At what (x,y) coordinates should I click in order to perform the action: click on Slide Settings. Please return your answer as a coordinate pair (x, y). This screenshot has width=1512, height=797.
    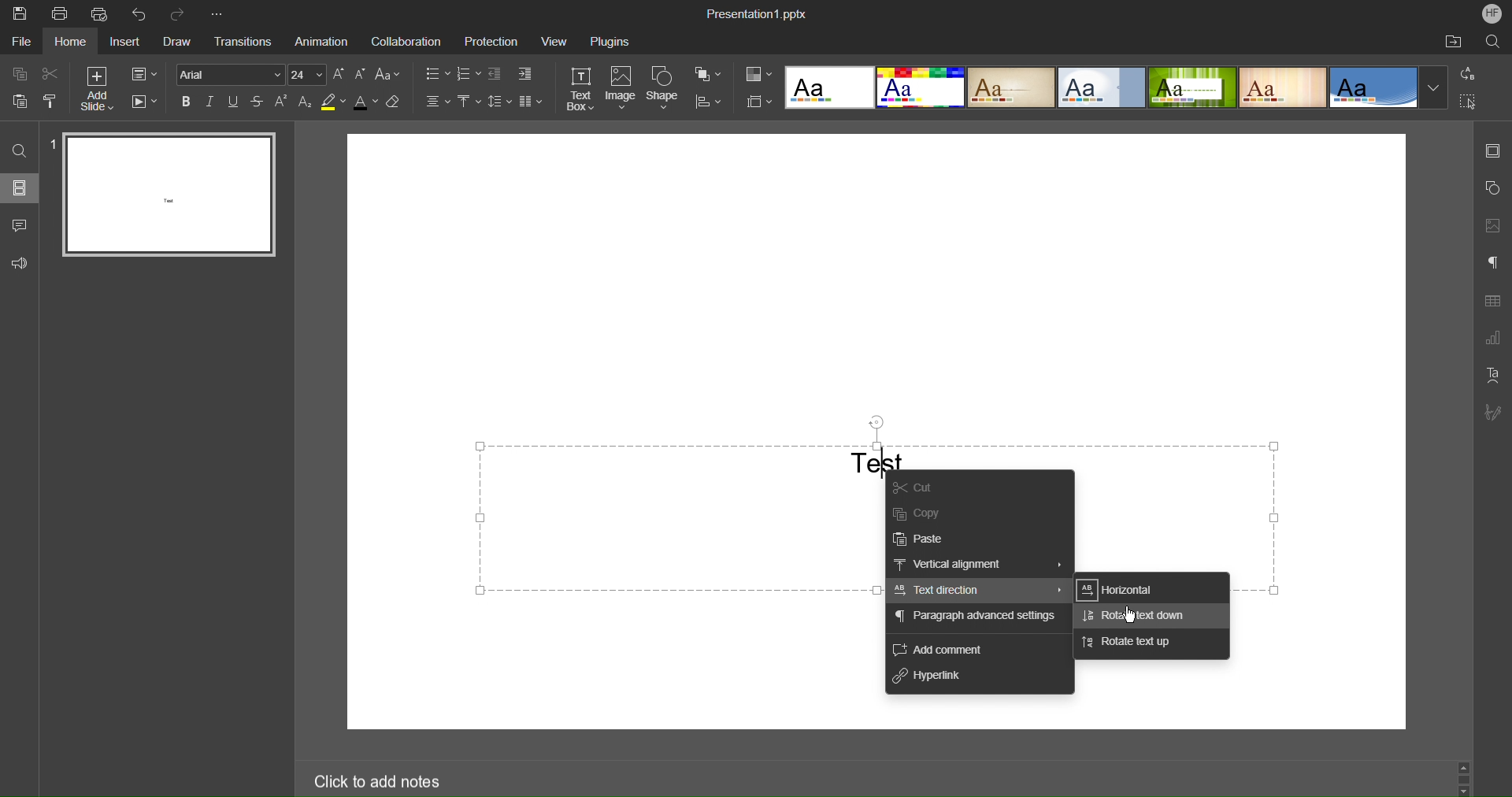
    Looking at the image, I should click on (1493, 153).